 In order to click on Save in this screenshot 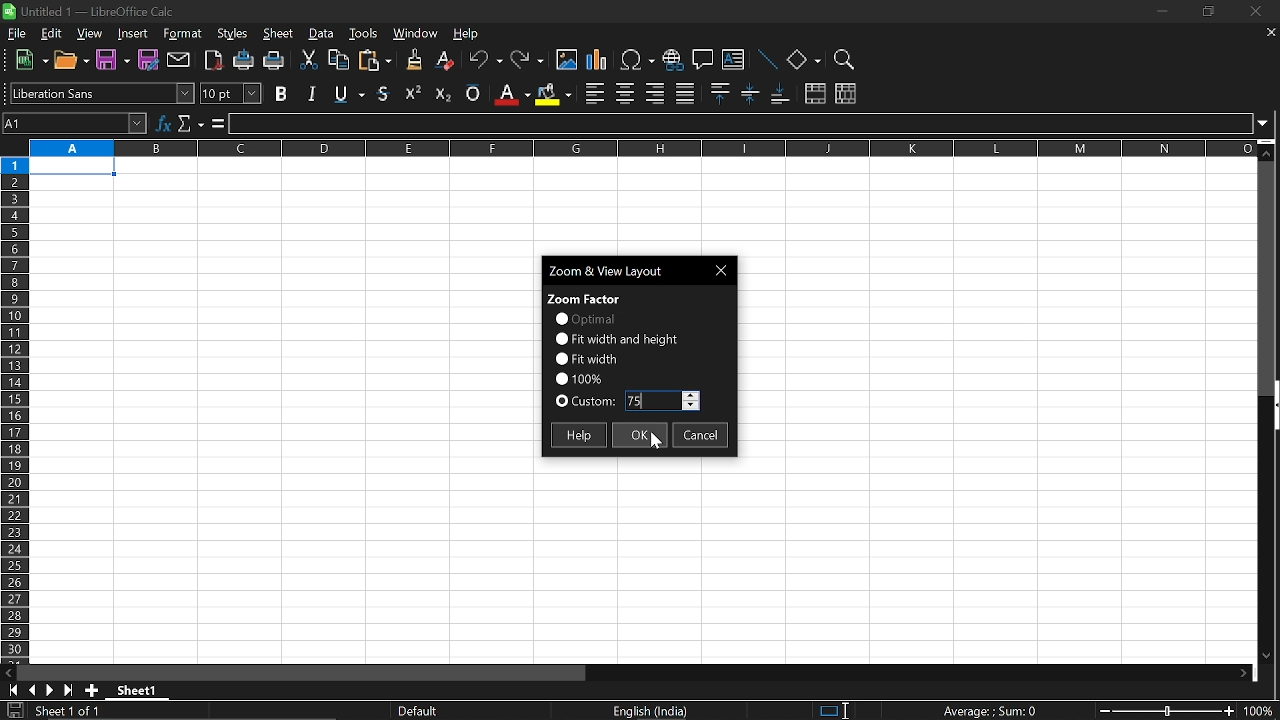, I will do `click(111, 61)`.